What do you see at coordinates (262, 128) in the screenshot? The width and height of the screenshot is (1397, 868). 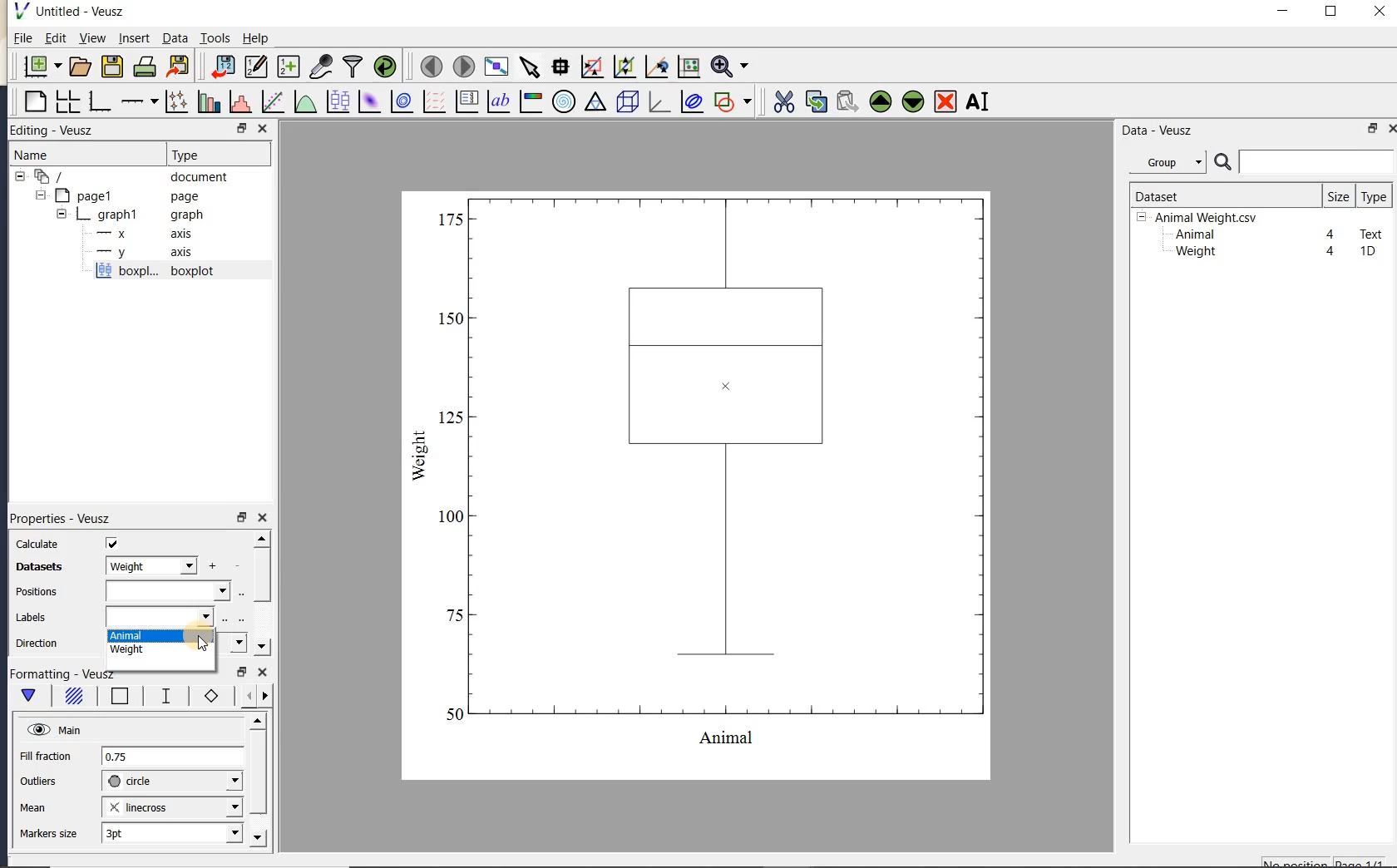 I see `CLOSE` at bounding box center [262, 128].